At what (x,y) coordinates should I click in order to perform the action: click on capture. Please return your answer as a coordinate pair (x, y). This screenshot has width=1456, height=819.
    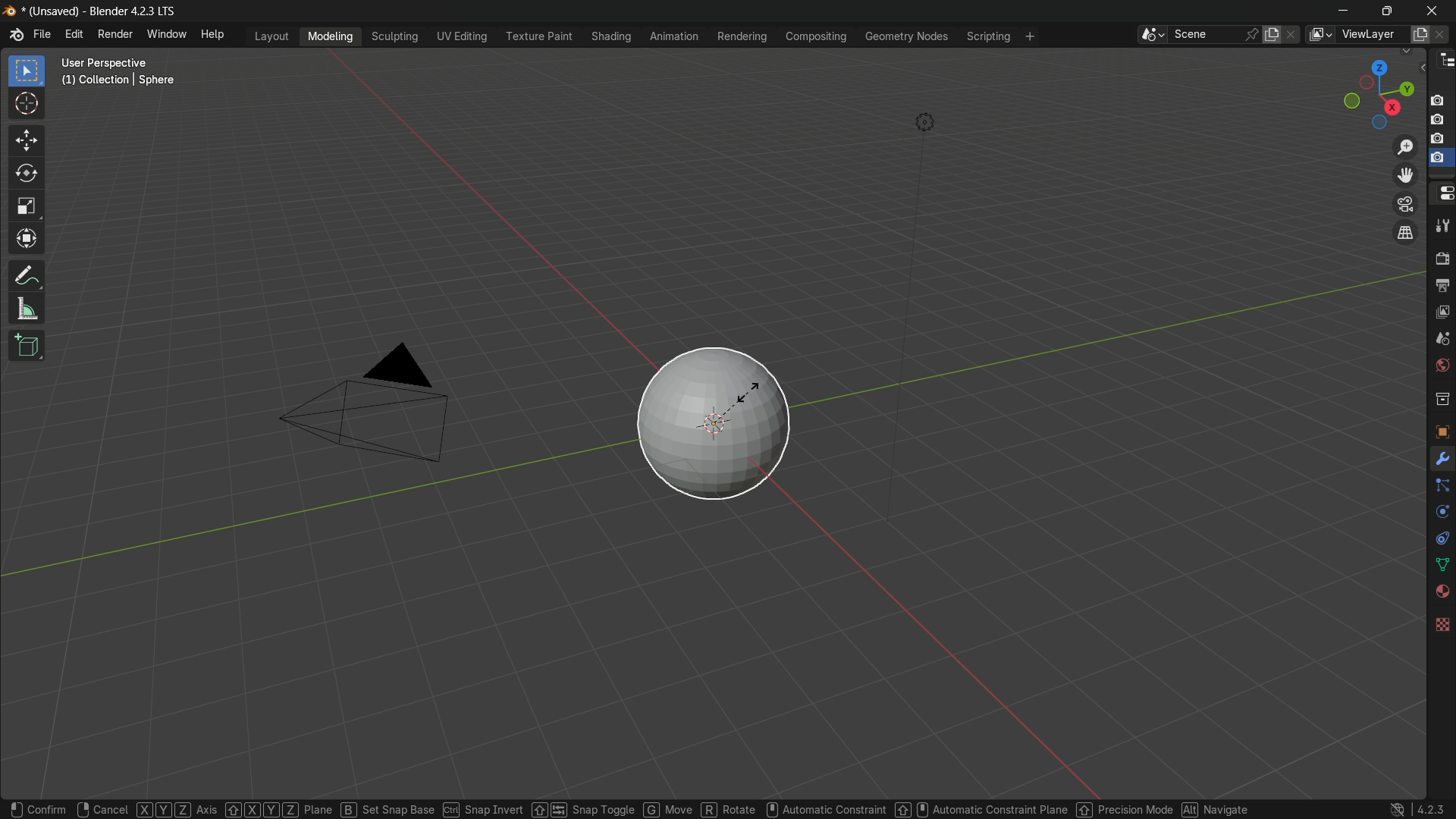
    Looking at the image, I should click on (1439, 95).